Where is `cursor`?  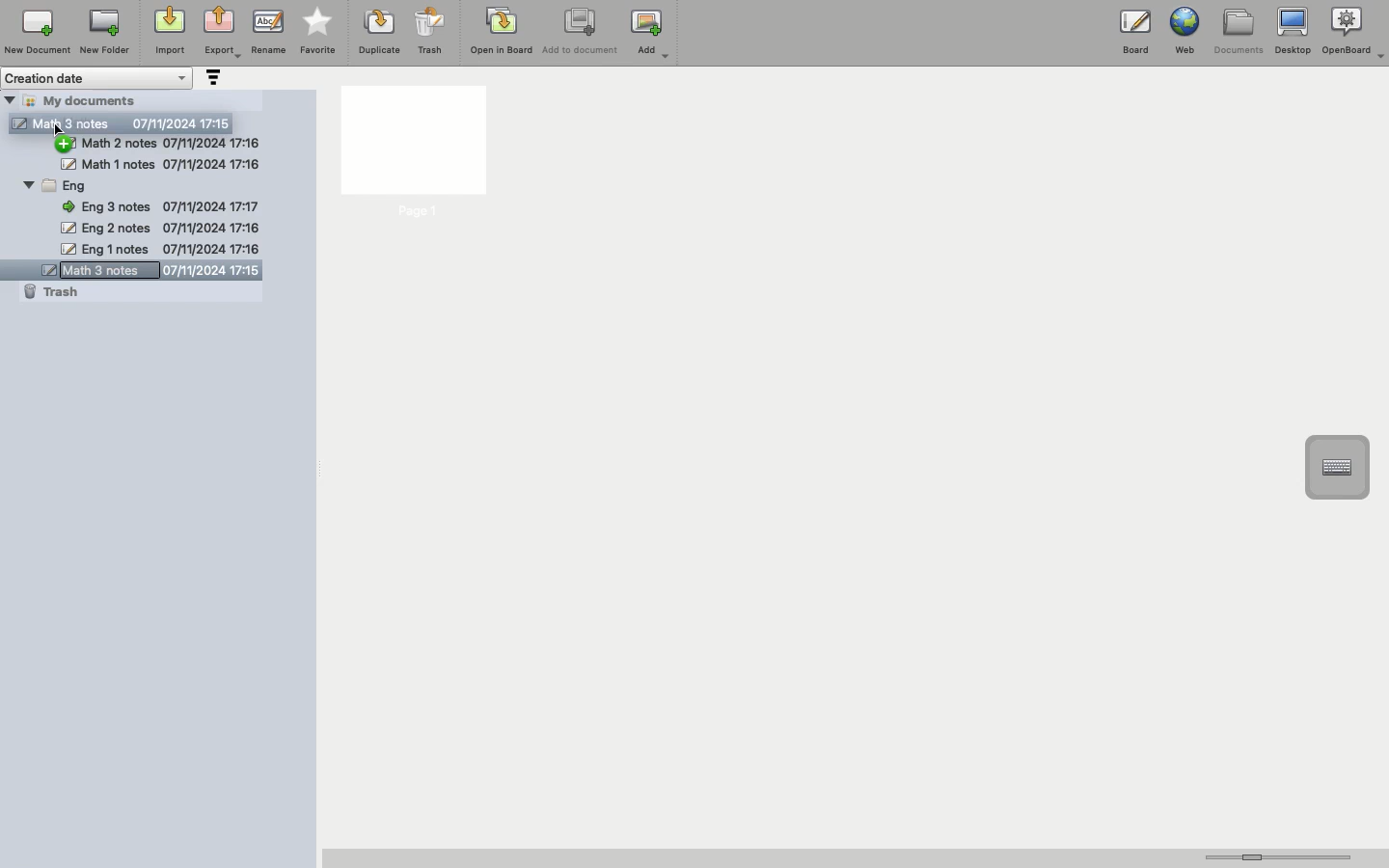
cursor is located at coordinates (64, 131).